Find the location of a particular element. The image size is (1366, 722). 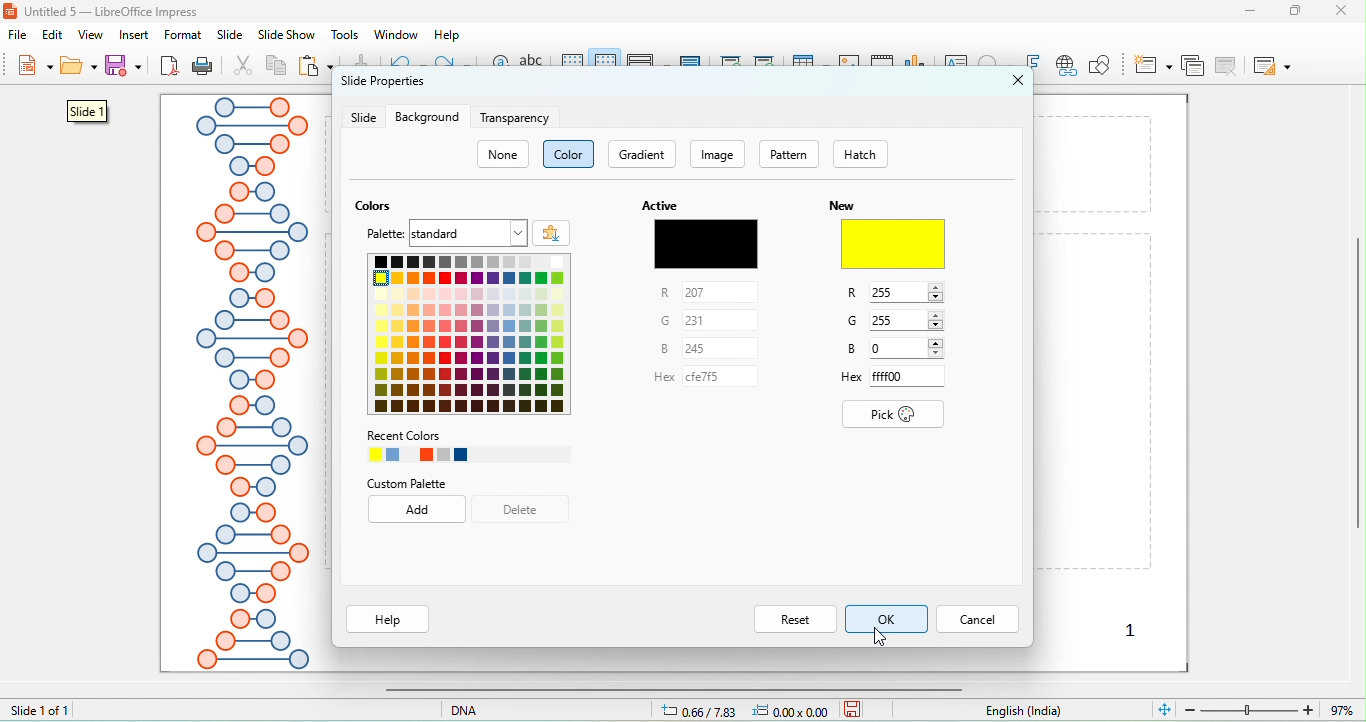

background is located at coordinates (427, 117).